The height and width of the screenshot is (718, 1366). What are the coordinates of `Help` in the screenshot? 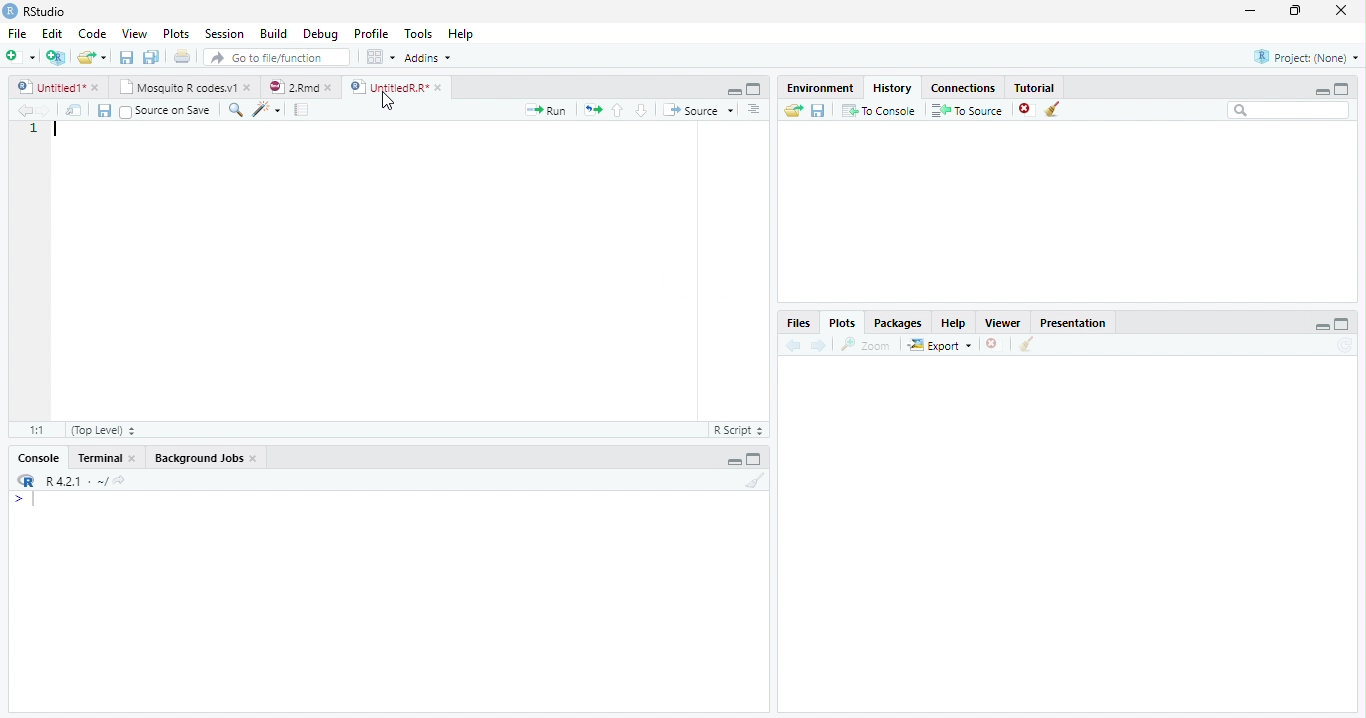 It's located at (461, 33).